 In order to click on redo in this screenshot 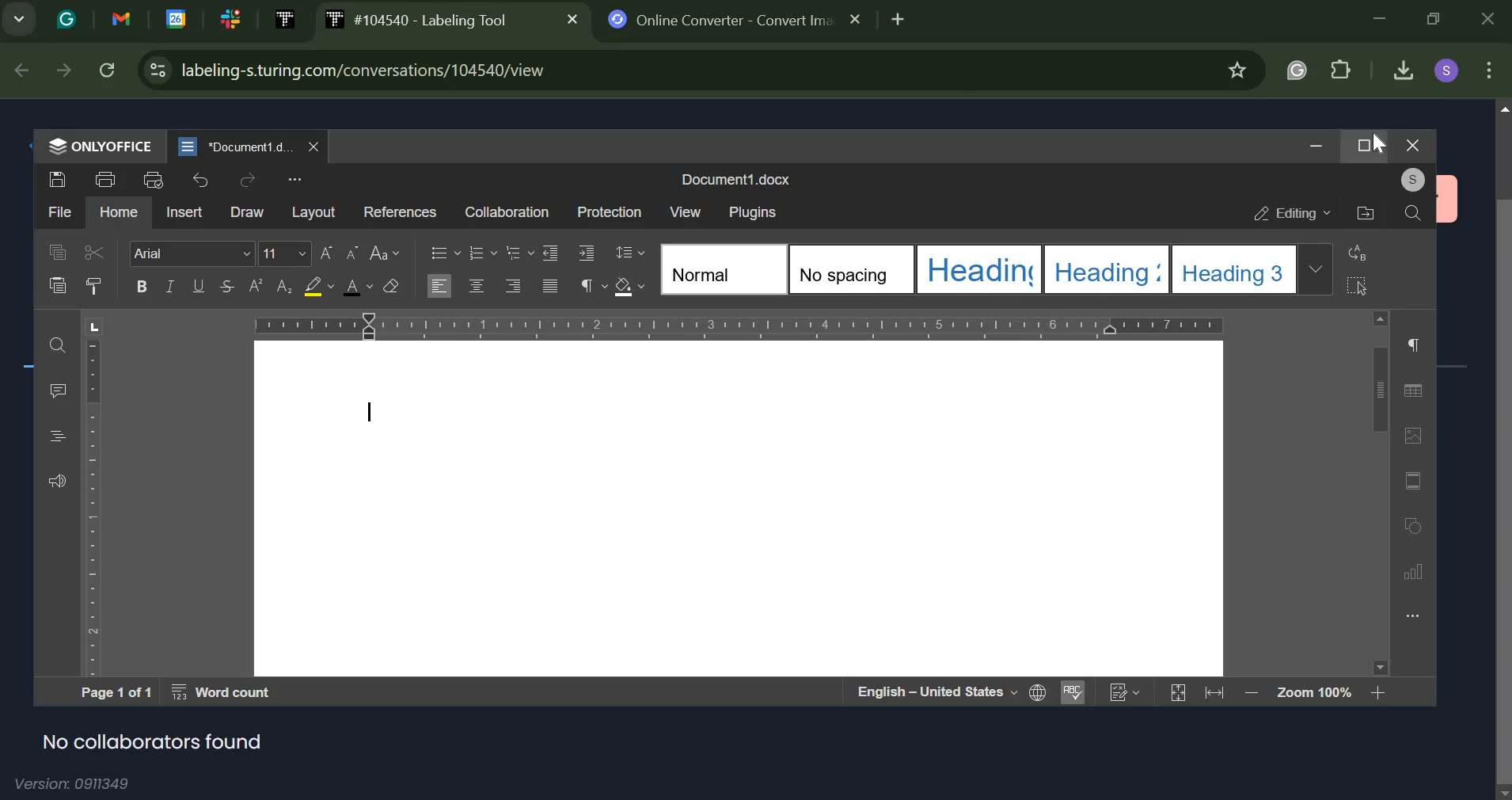, I will do `click(249, 180)`.